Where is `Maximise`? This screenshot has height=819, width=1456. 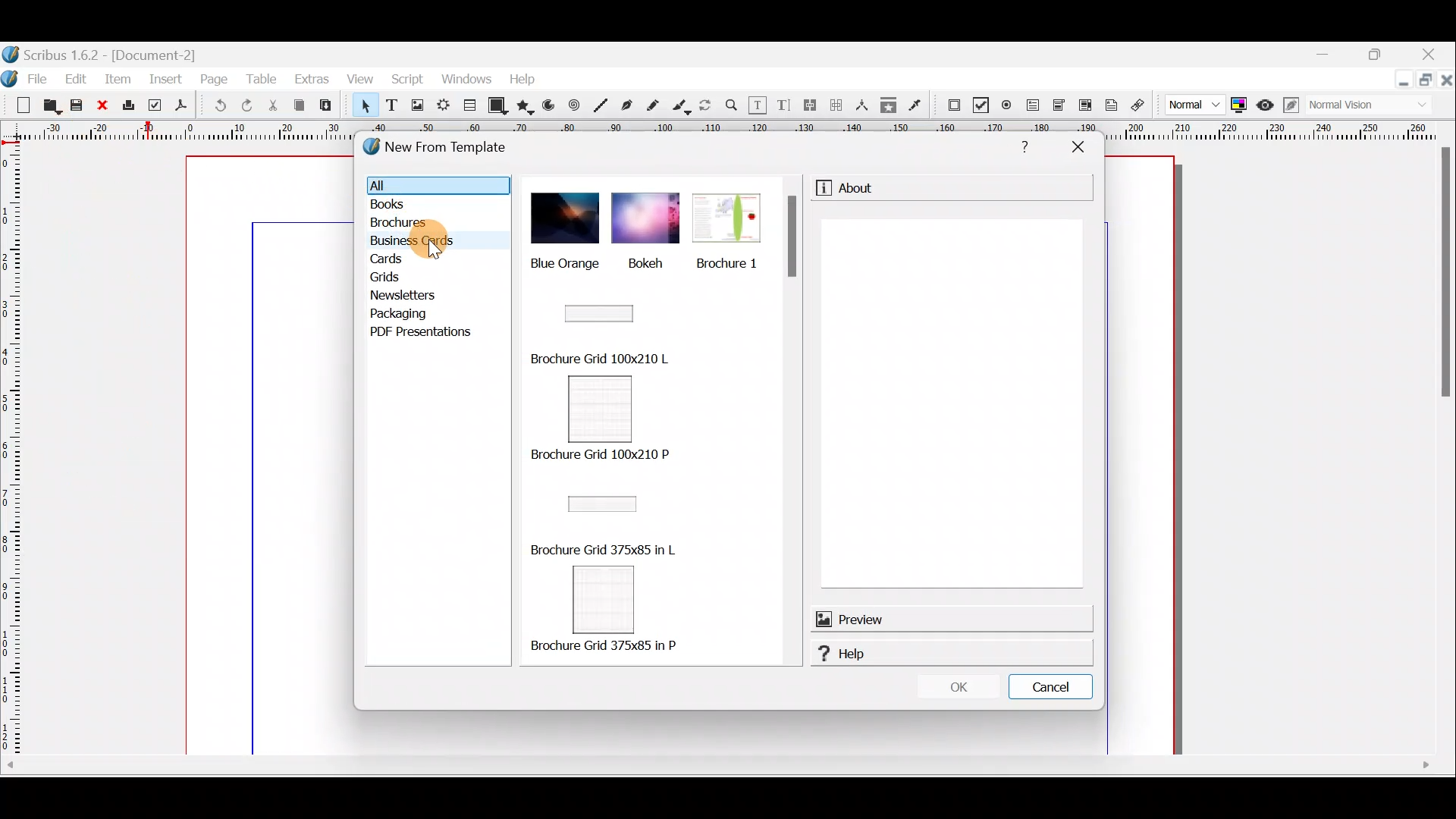 Maximise is located at coordinates (1385, 54).